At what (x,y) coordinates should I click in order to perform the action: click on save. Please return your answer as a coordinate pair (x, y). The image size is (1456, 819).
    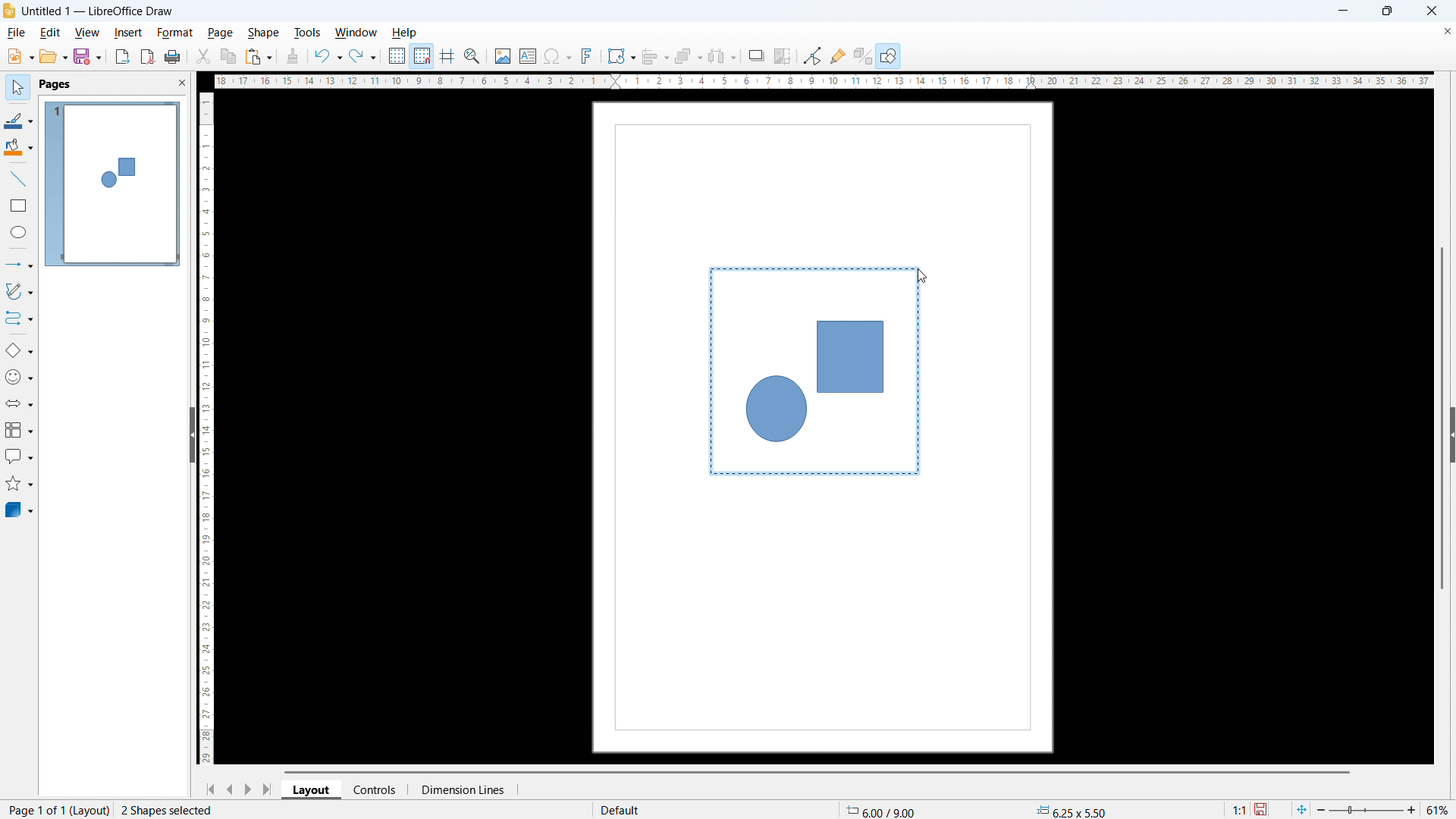
    Looking at the image, I should click on (1263, 810).